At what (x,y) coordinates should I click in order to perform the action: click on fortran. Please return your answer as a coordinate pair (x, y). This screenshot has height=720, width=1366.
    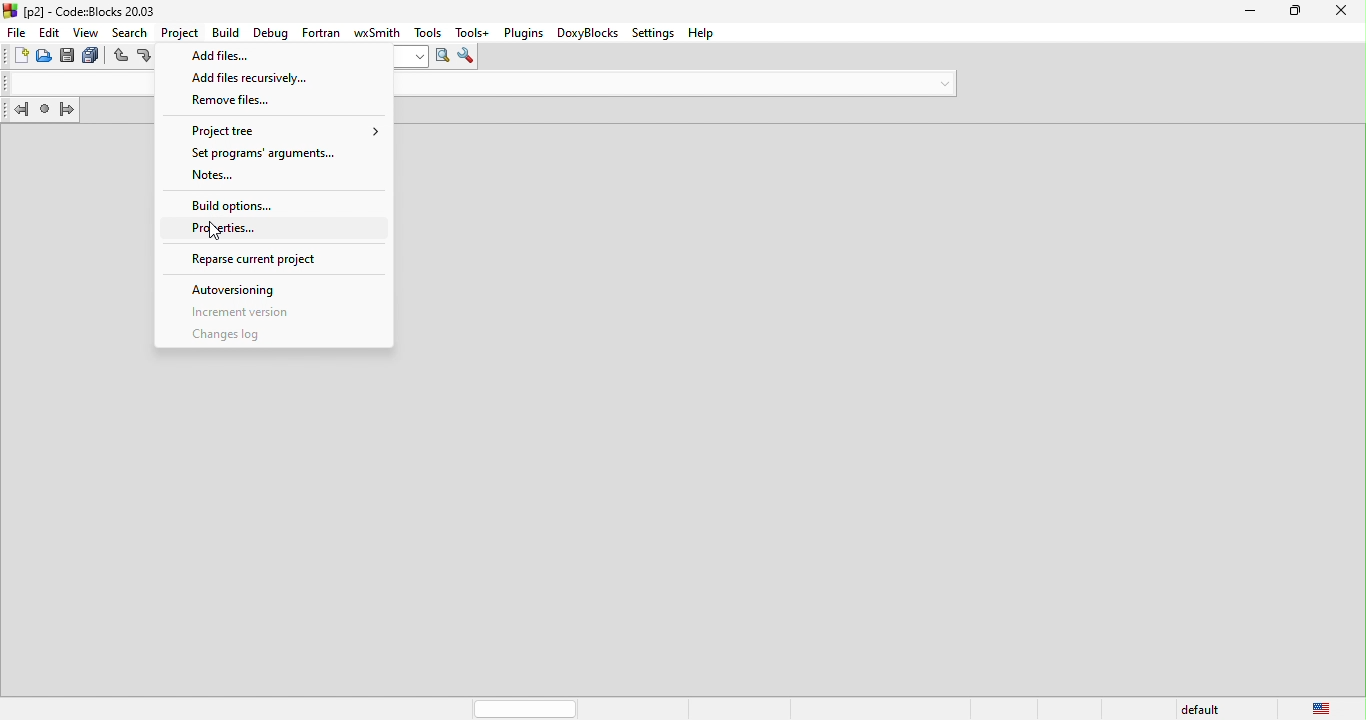
    Looking at the image, I should click on (318, 30).